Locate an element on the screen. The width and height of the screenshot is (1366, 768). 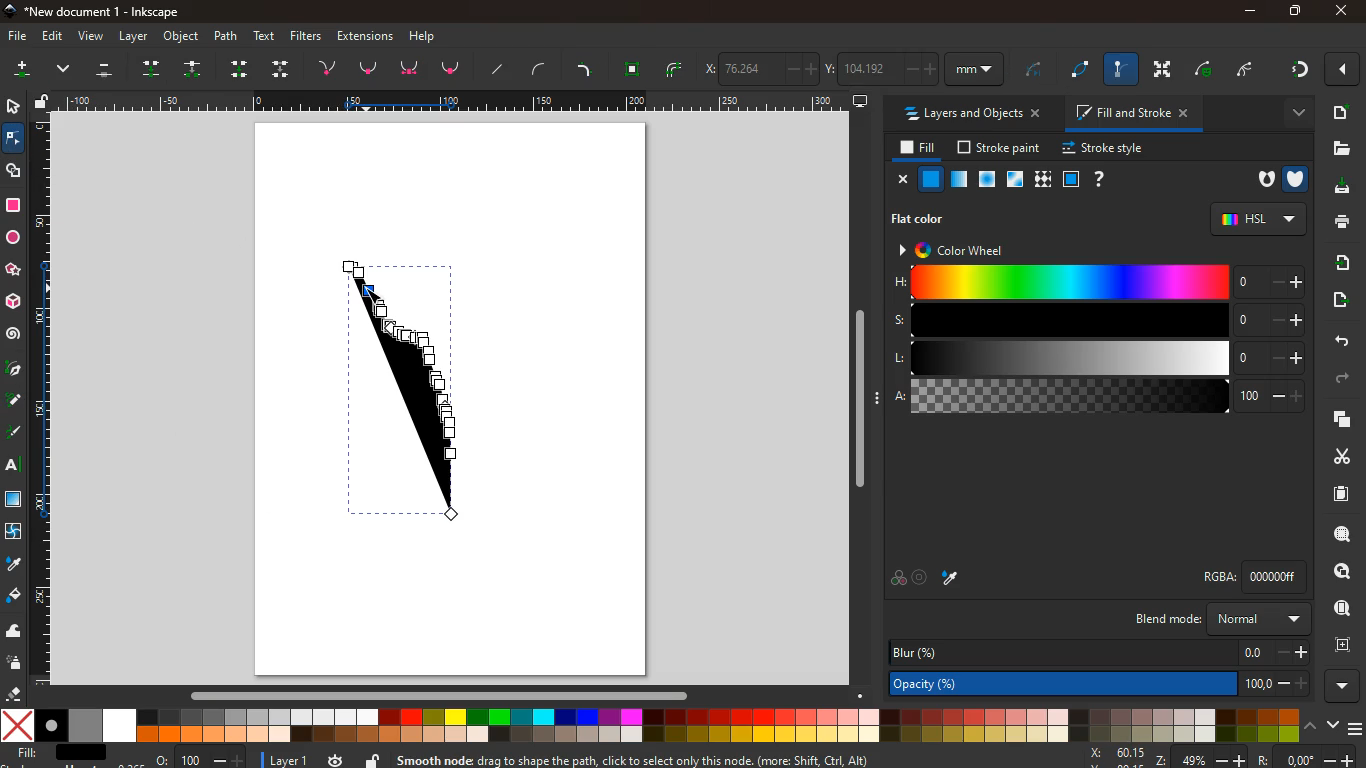
unlock is located at coordinates (374, 759).